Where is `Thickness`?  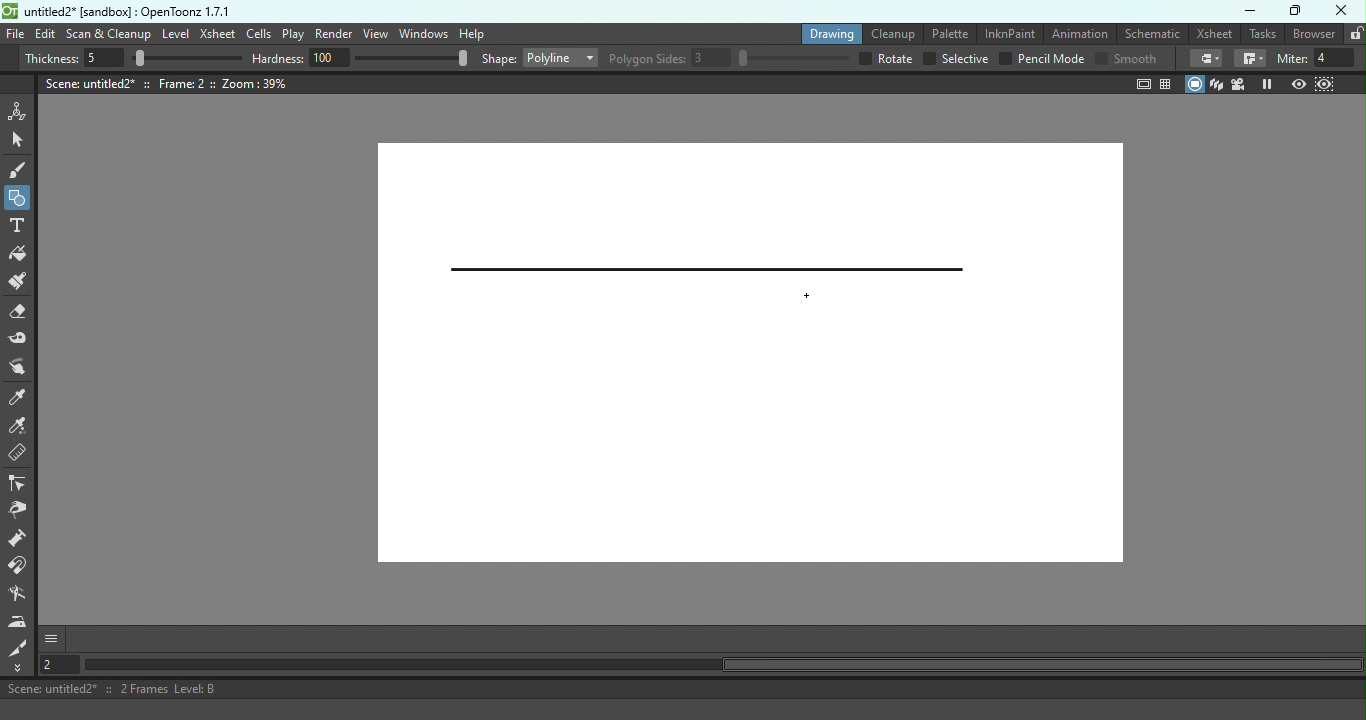 Thickness is located at coordinates (133, 58).